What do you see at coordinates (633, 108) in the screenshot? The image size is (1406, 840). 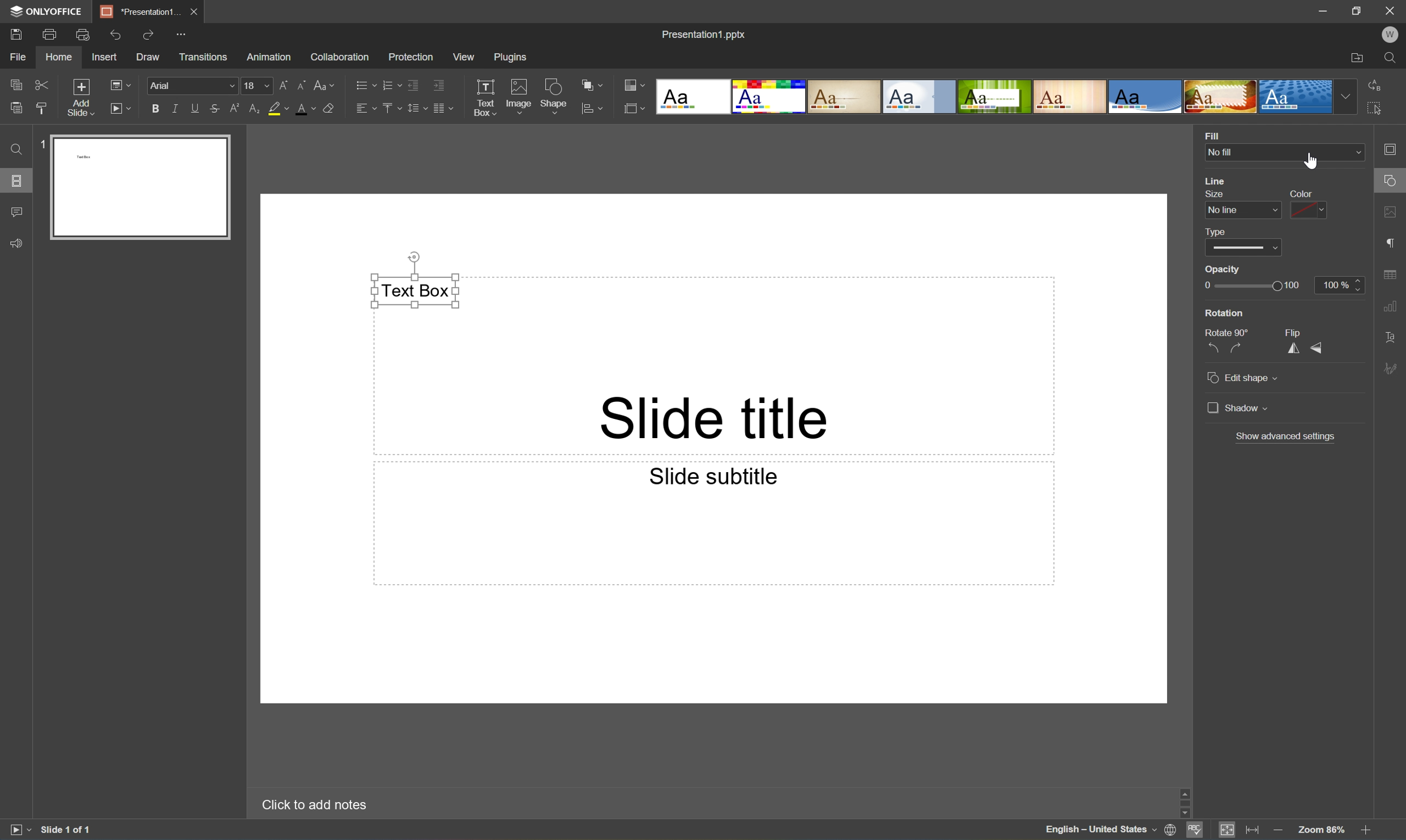 I see `Select Slide size` at bounding box center [633, 108].